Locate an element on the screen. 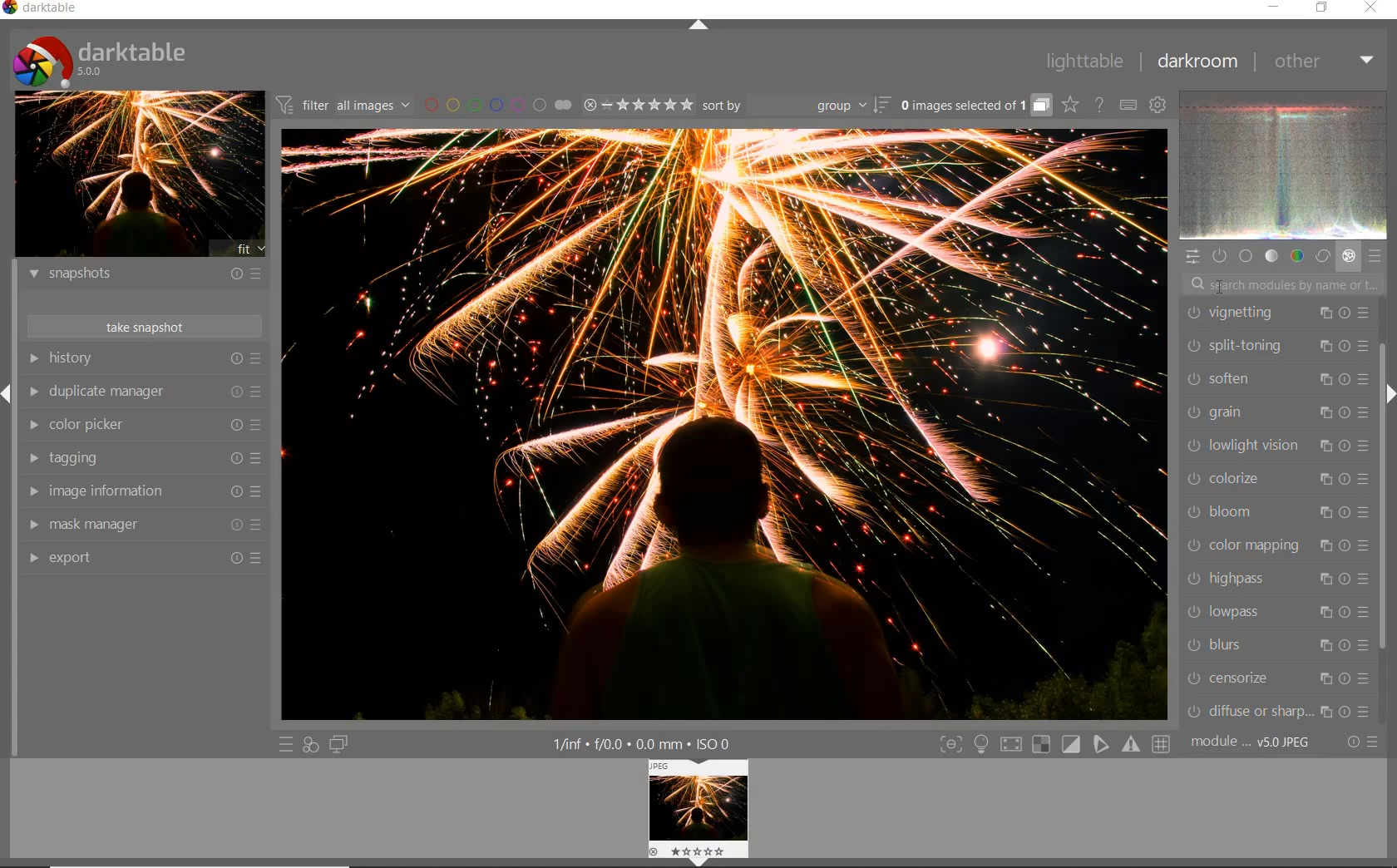 The width and height of the screenshot is (1397, 868). search modules by name is located at coordinates (1283, 284).